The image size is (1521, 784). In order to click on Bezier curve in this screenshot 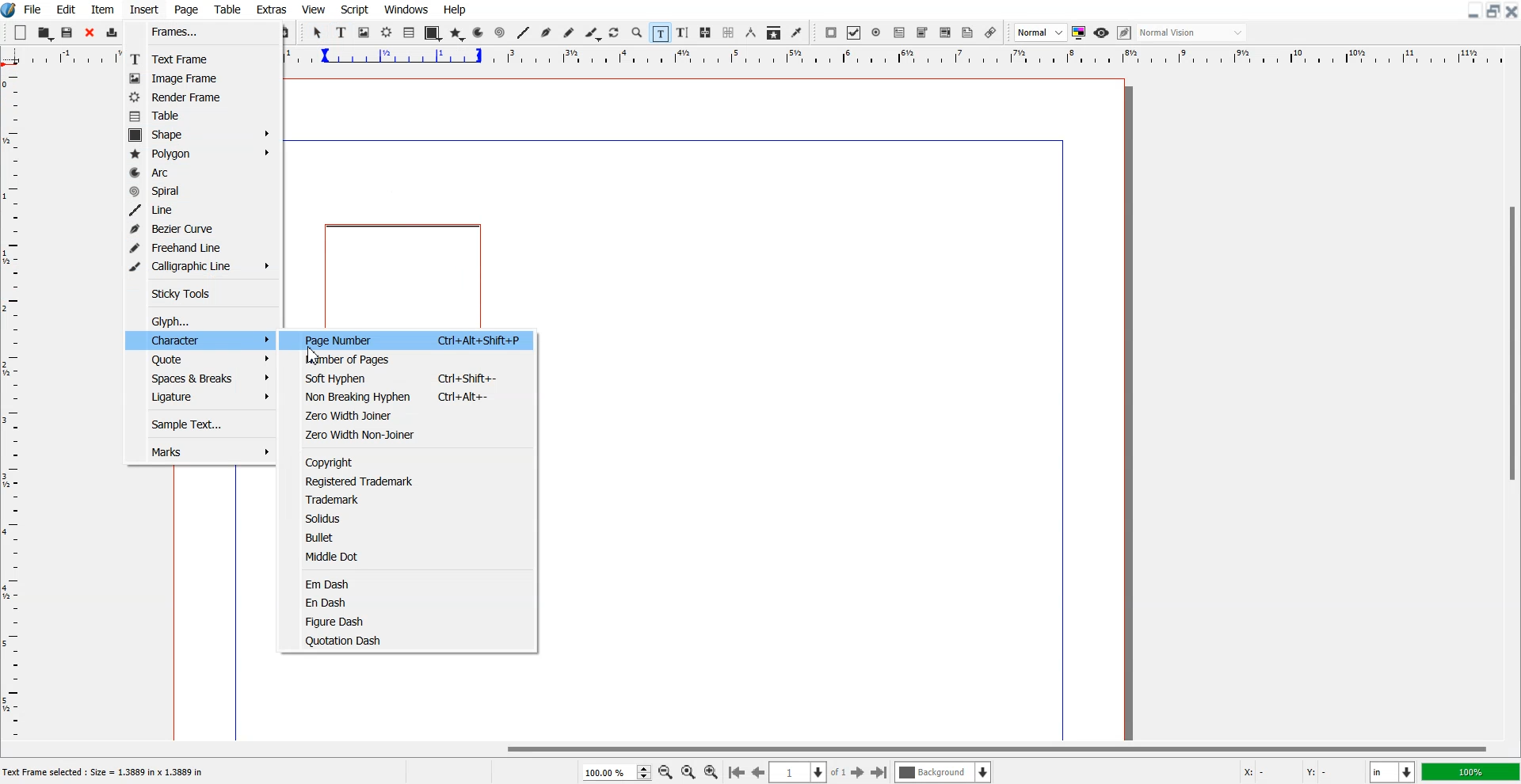, I will do `click(547, 33)`.